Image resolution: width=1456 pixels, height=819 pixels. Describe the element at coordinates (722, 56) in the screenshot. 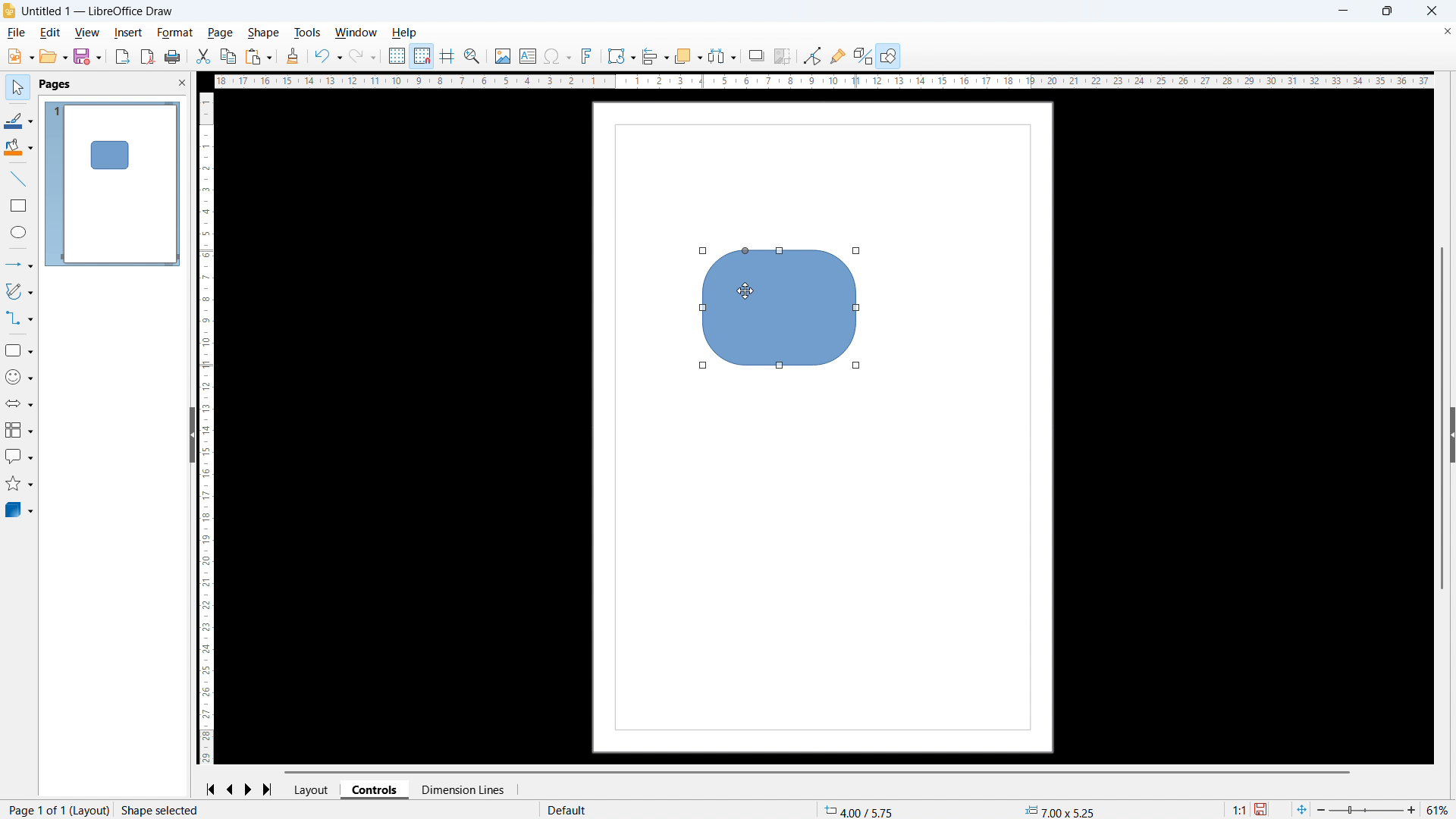

I see `Select at least three objects to distribute ` at that location.